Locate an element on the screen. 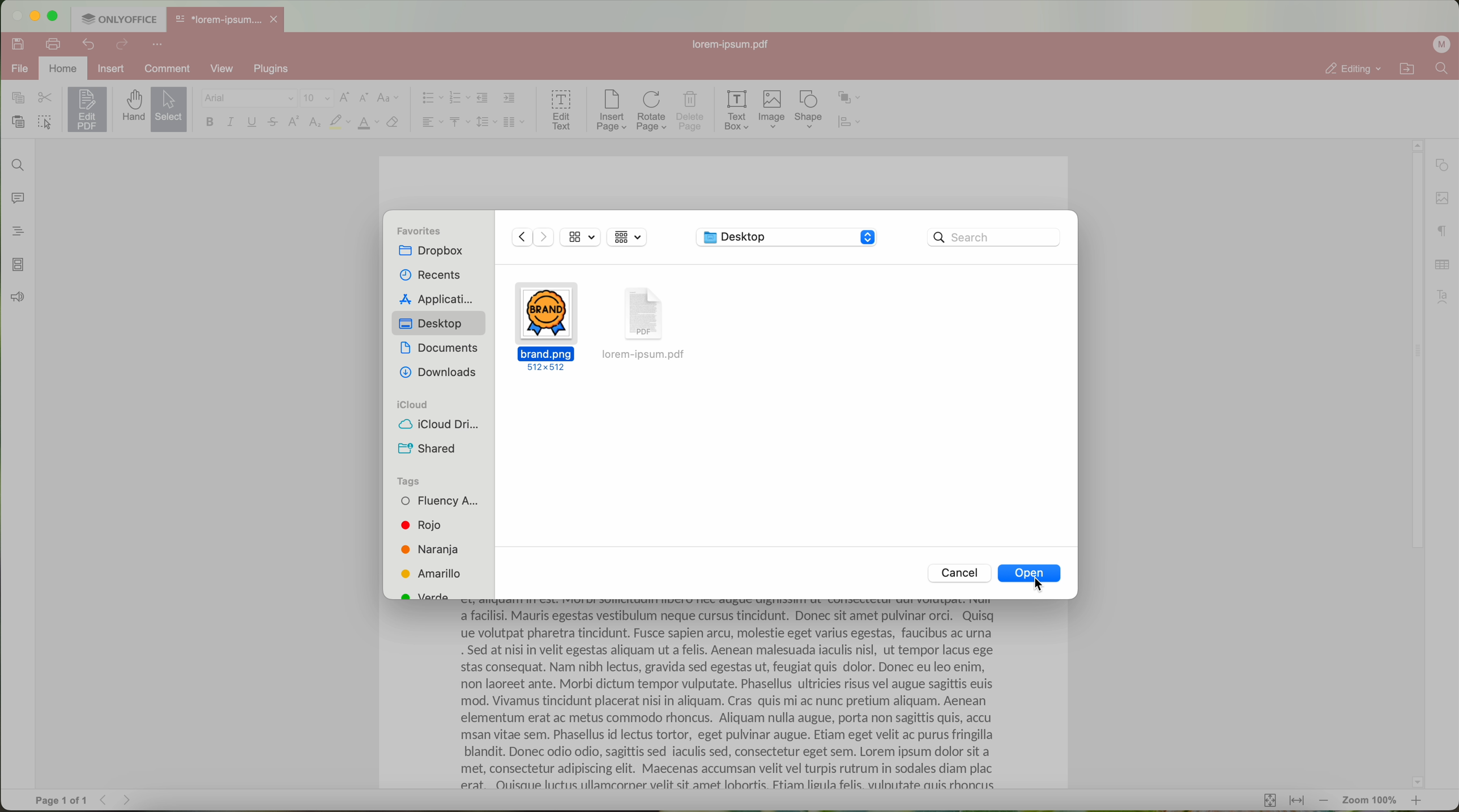 Image resolution: width=1459 pixels, height=812 pixels. lorem-ipsum.pdf is located at coordinates (735, 44).